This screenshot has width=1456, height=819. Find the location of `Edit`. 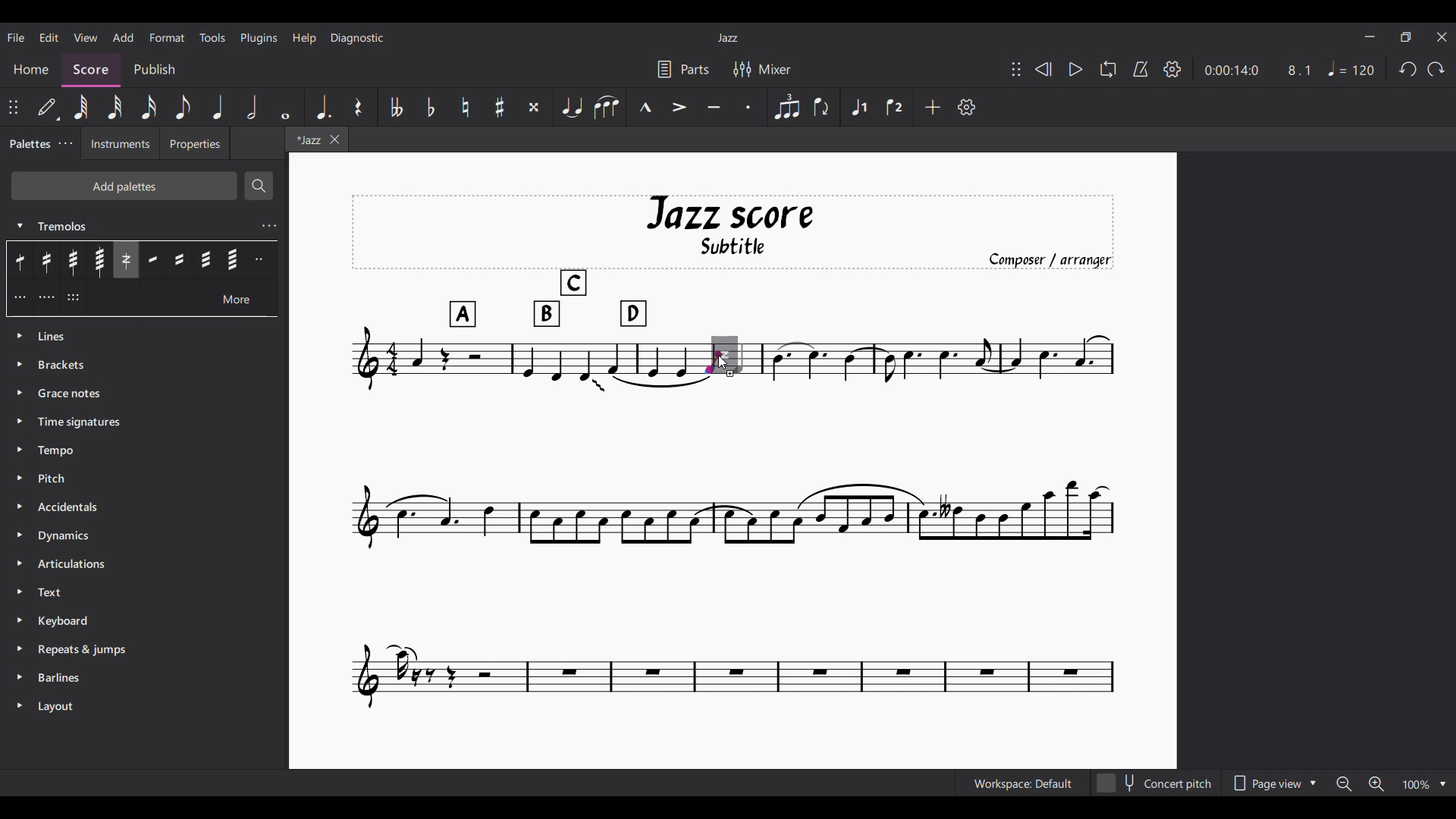

Edit is located at coordinates (49, 37).